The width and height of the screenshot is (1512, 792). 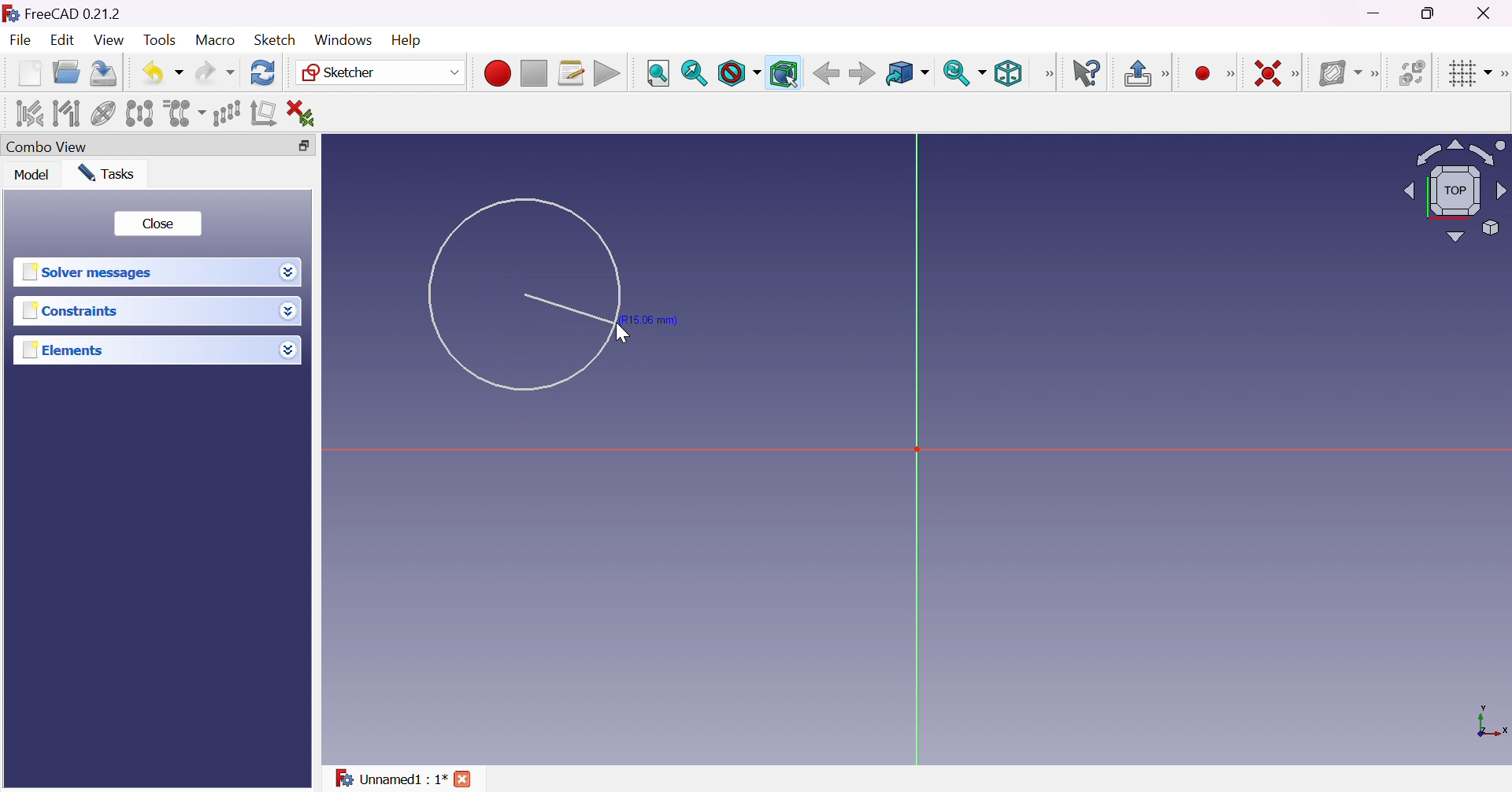 What do you see at coordinates (655, 320) in the screenshot?
I see `(R15.06 mm)` at bounding box center [655, 320].